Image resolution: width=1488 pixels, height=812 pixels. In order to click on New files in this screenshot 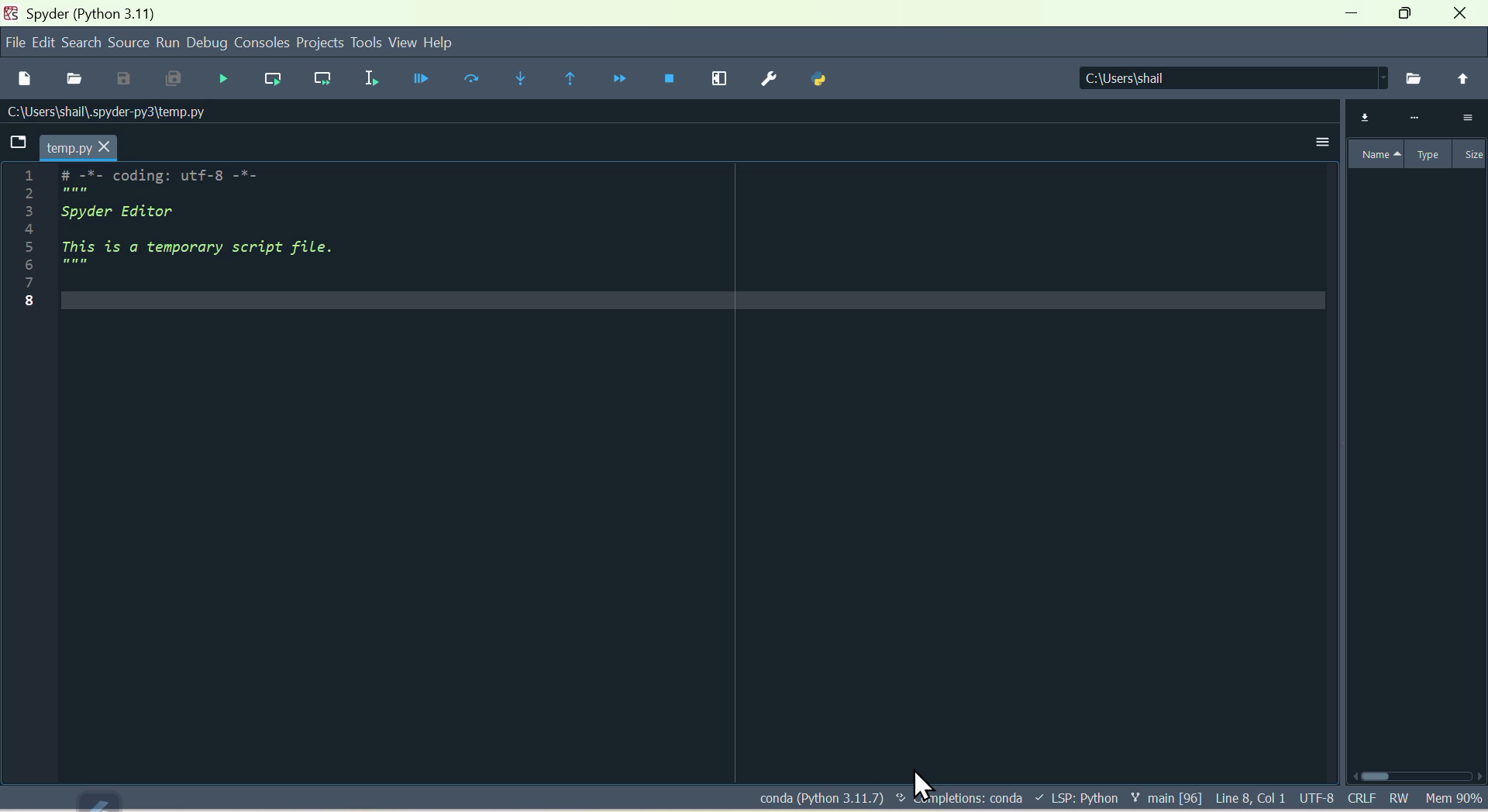, I will do `click(24, 77)`.